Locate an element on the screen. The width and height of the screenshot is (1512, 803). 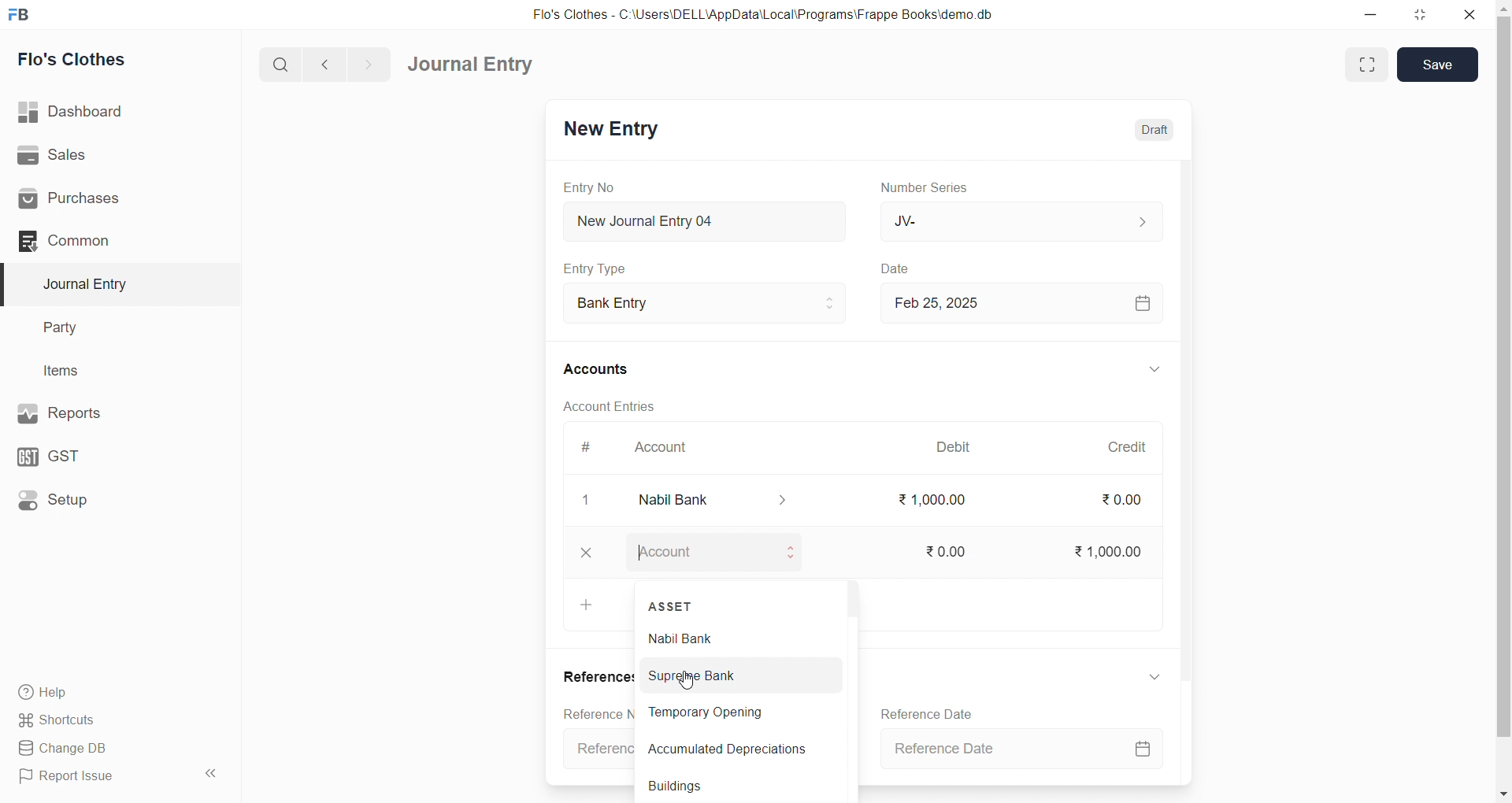
₹ 0.00 is located at coordinates (958, 552).